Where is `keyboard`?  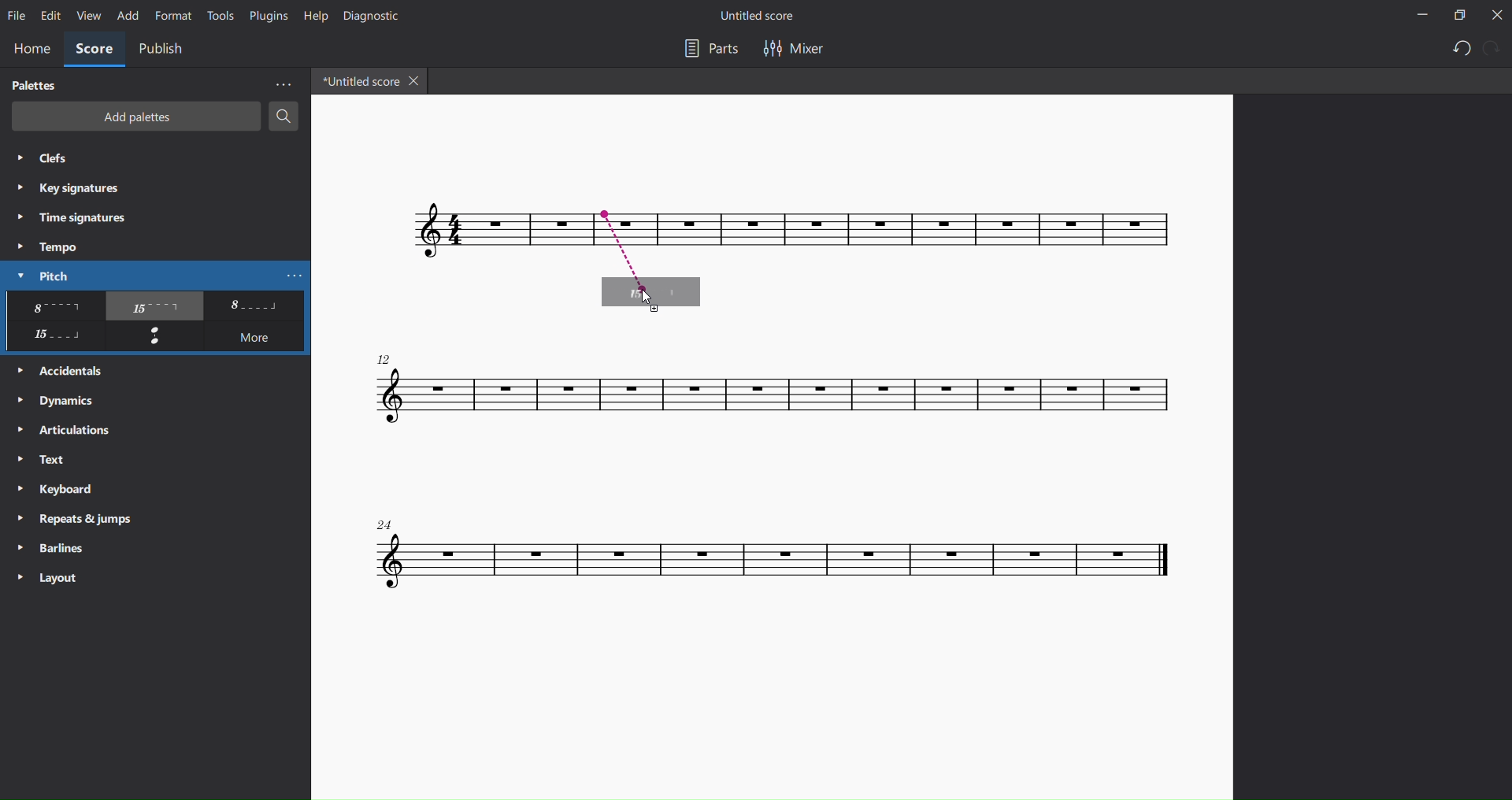 keyboard is located at coordinates (60, 491).